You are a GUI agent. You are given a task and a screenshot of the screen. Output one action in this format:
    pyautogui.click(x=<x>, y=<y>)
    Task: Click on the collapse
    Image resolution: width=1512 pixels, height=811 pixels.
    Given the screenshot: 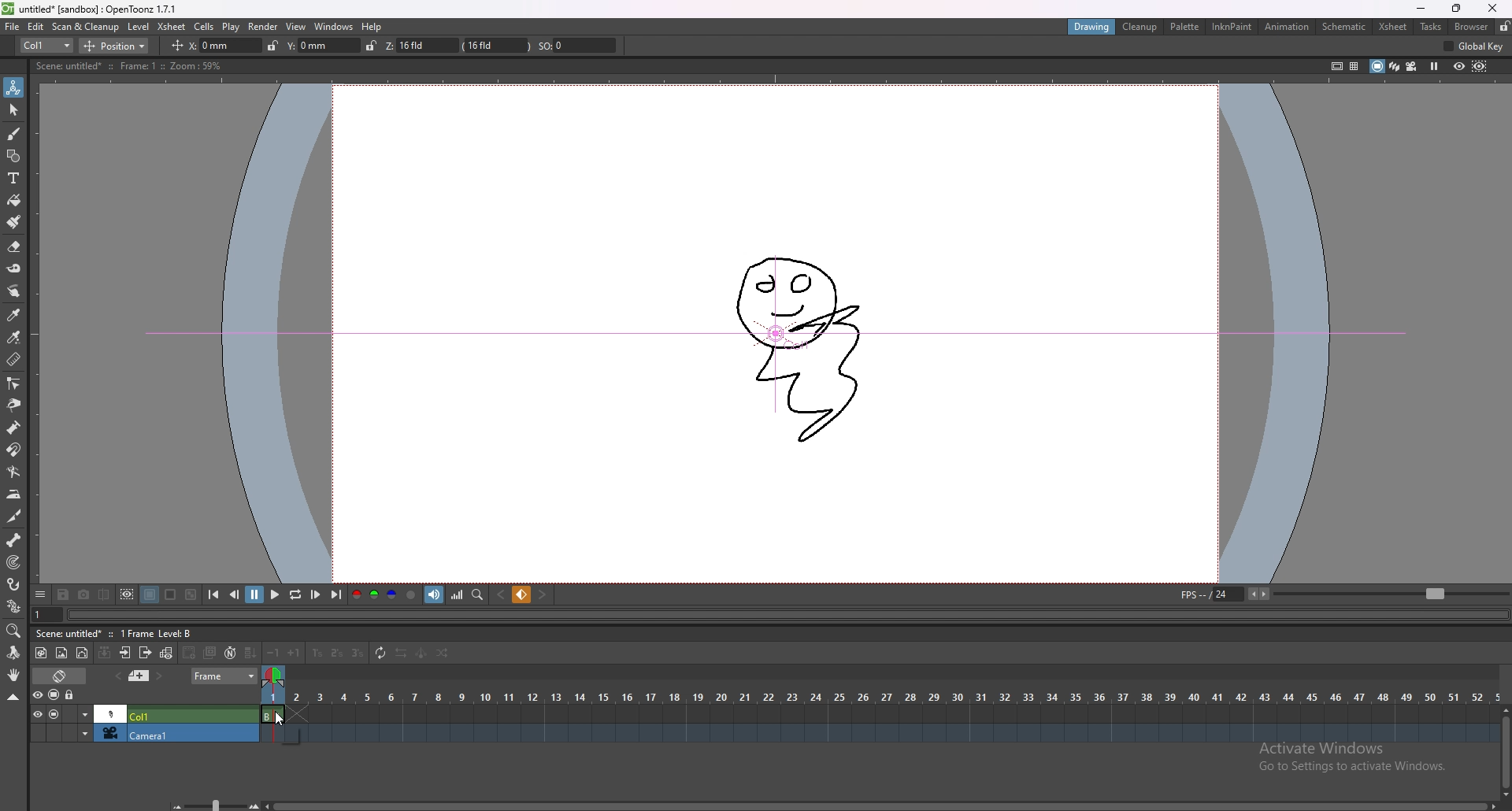 What is the action you would take?
    pyautogui.click(x=13, y=697)
    